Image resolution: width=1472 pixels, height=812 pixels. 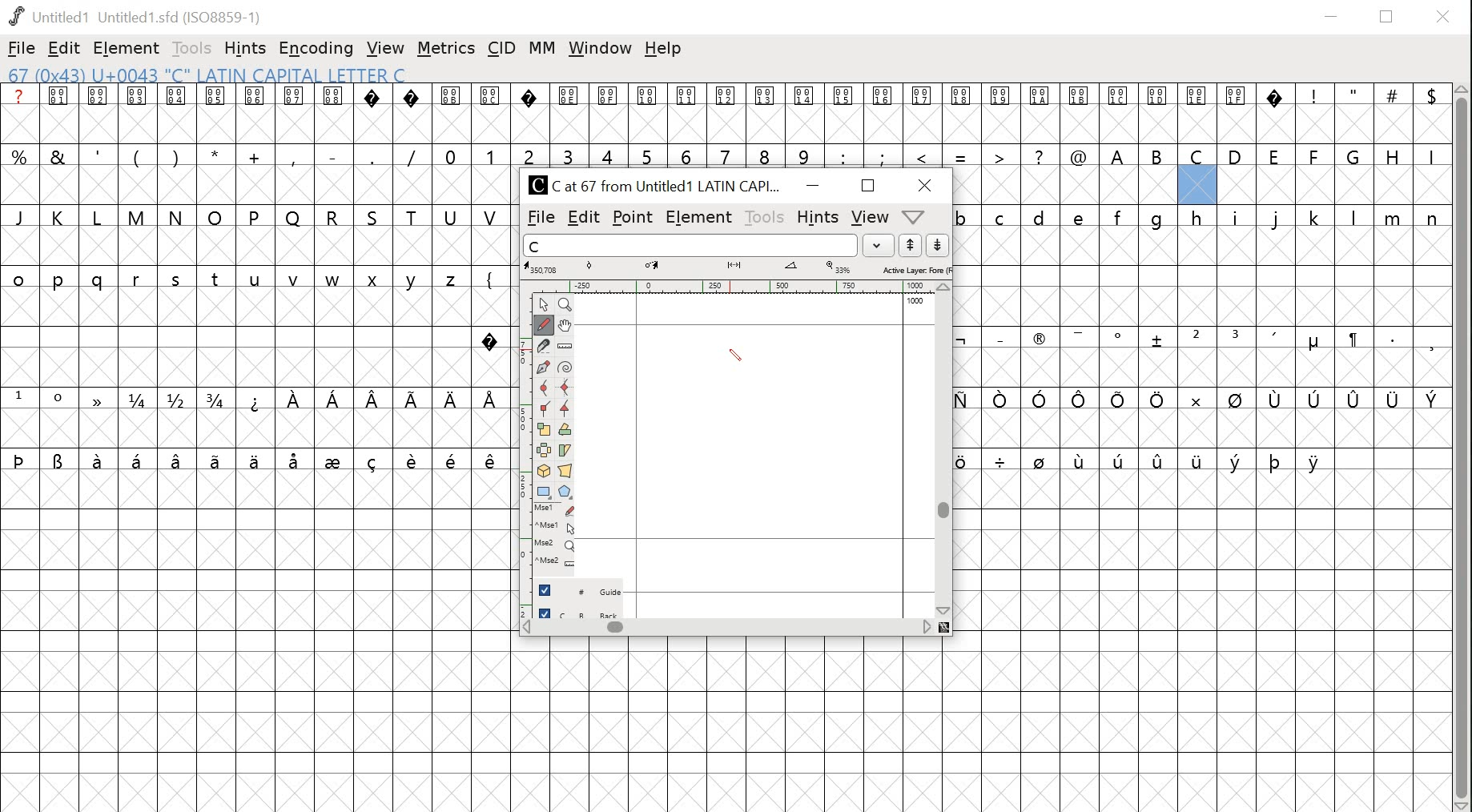 What do you see at coordinates (735, 284) in the screenshot?
I see `ruler` at bounding box center [735, 284].